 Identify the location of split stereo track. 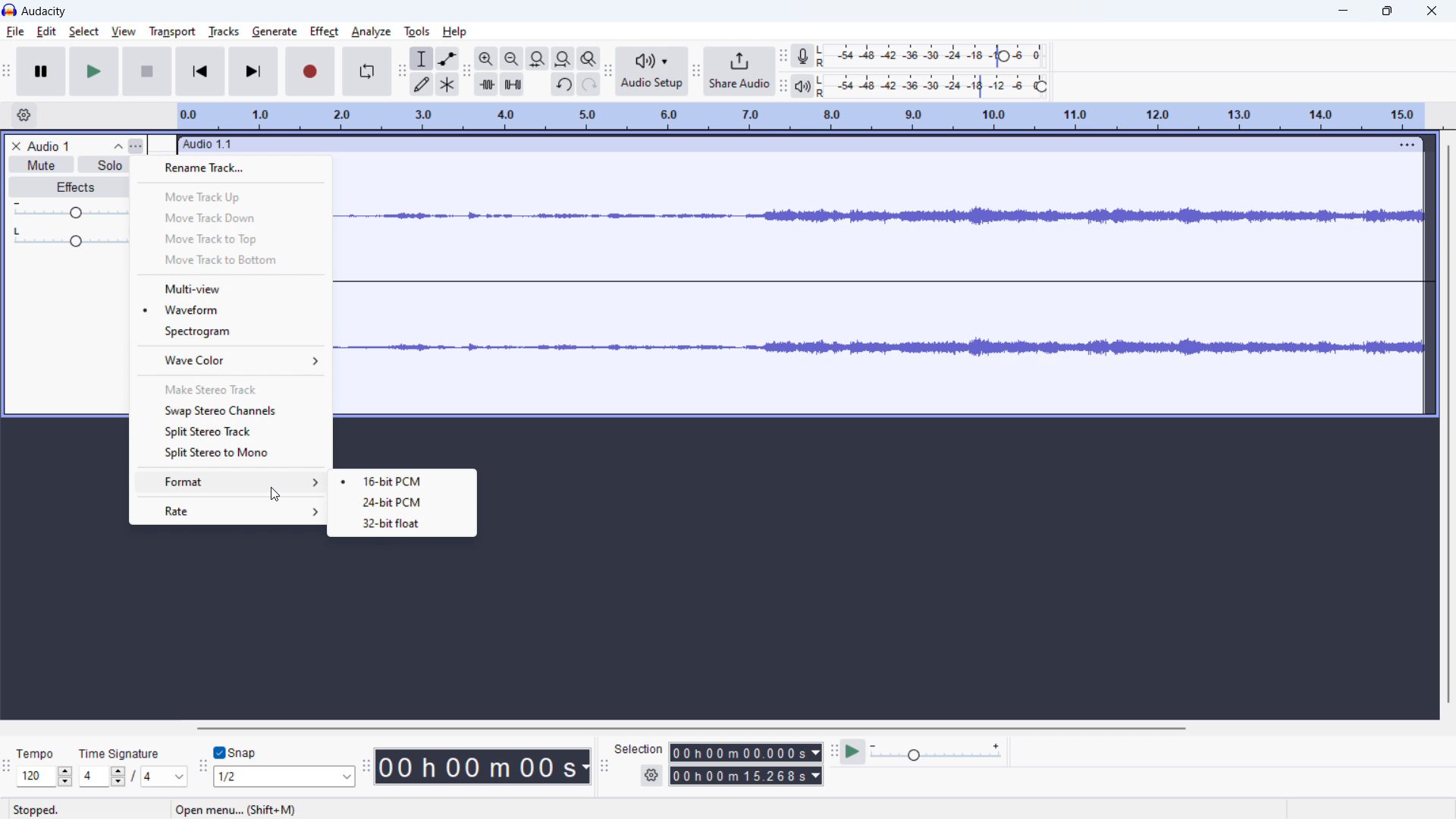
(228, 431).